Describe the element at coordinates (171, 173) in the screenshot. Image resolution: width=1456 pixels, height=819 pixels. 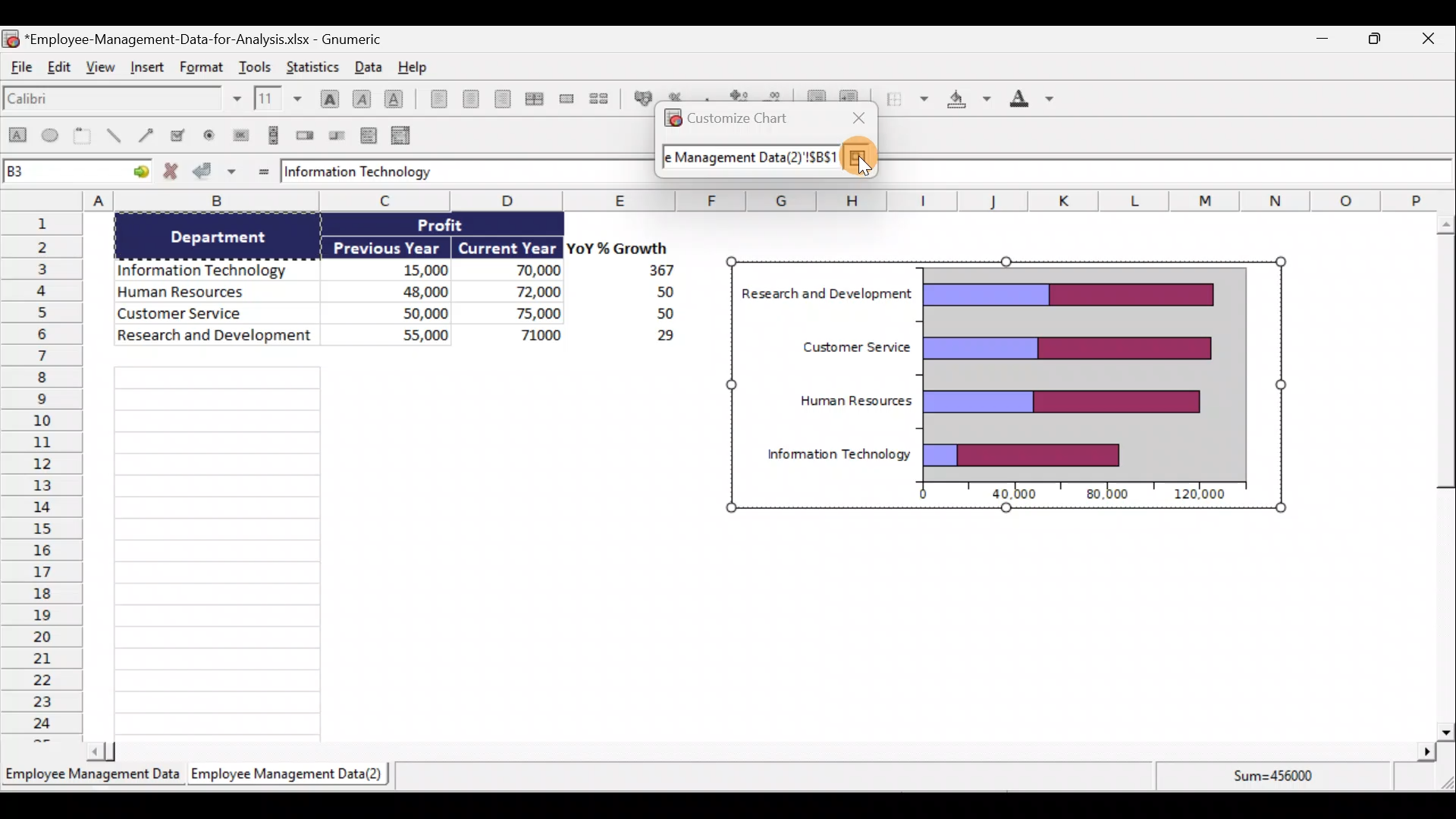
I see `Cancel change` at that location.